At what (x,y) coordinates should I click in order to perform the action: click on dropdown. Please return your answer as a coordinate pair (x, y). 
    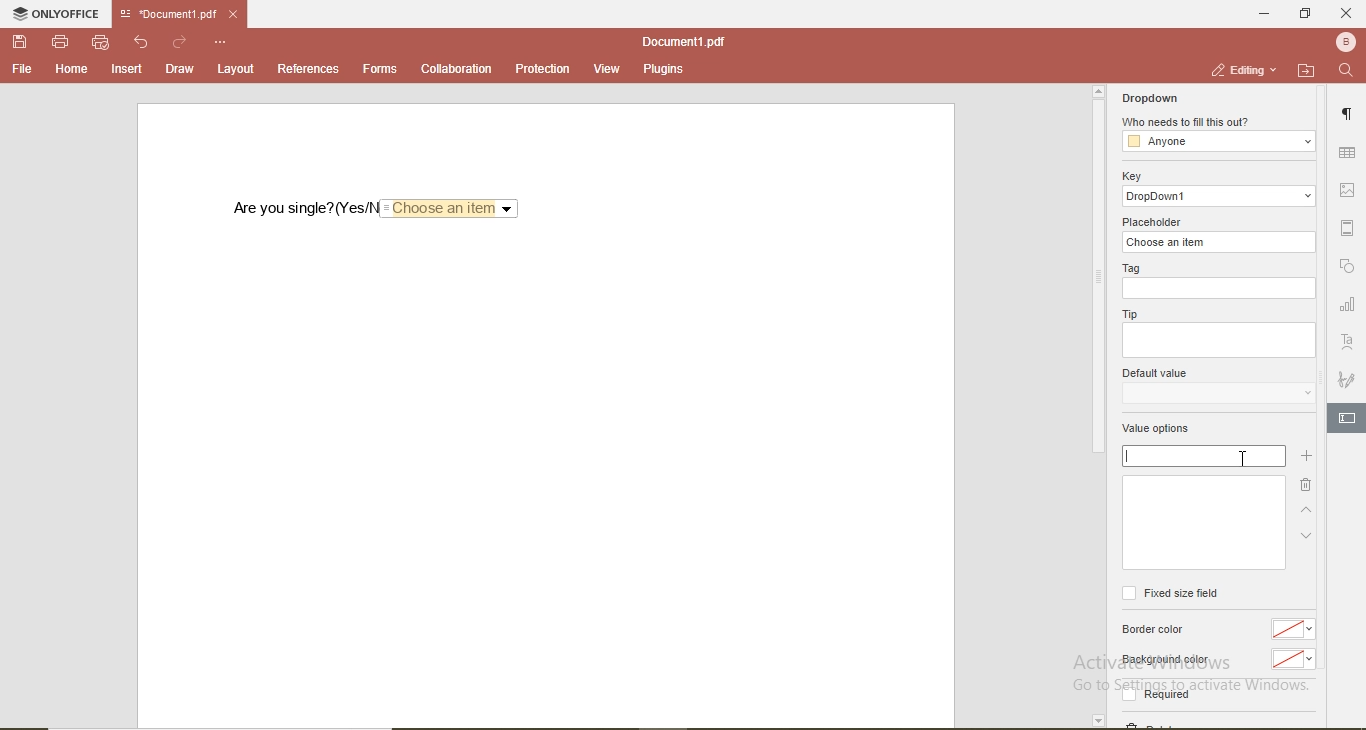
    Looking at the image, I should click on (1217, 393).